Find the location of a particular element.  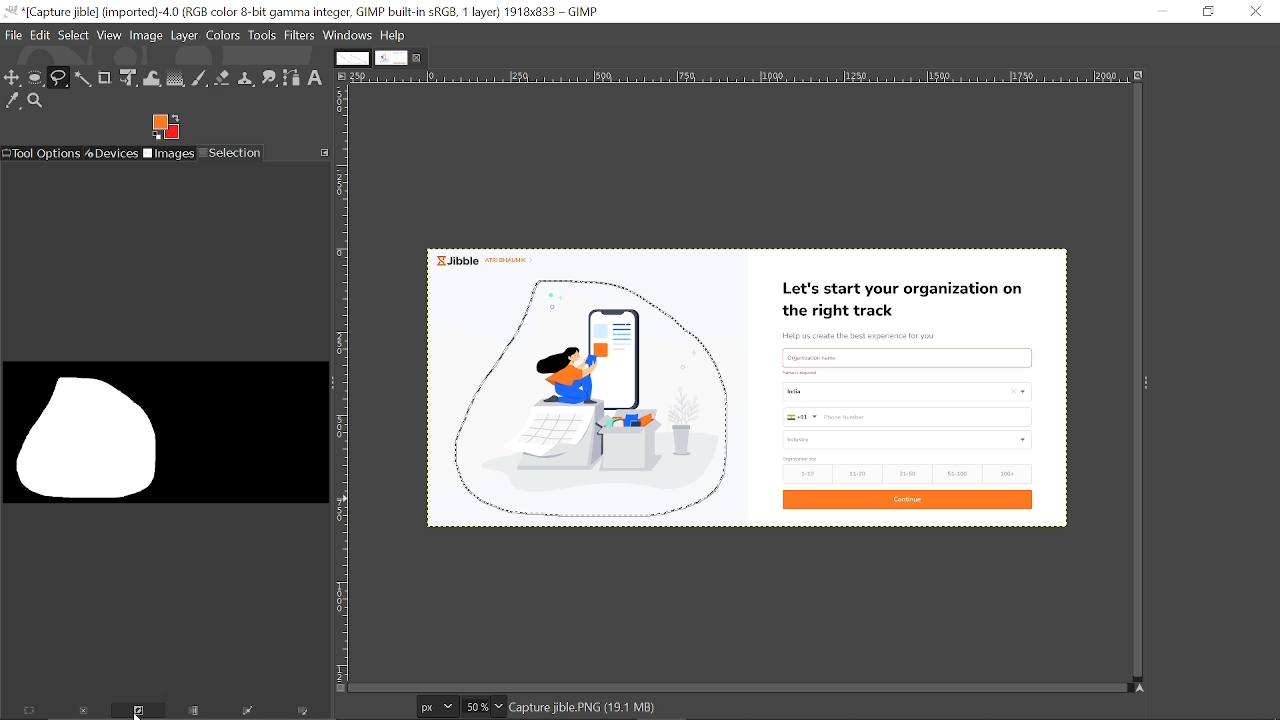

Paint along the selection outline is located at coordinates (304, 713).